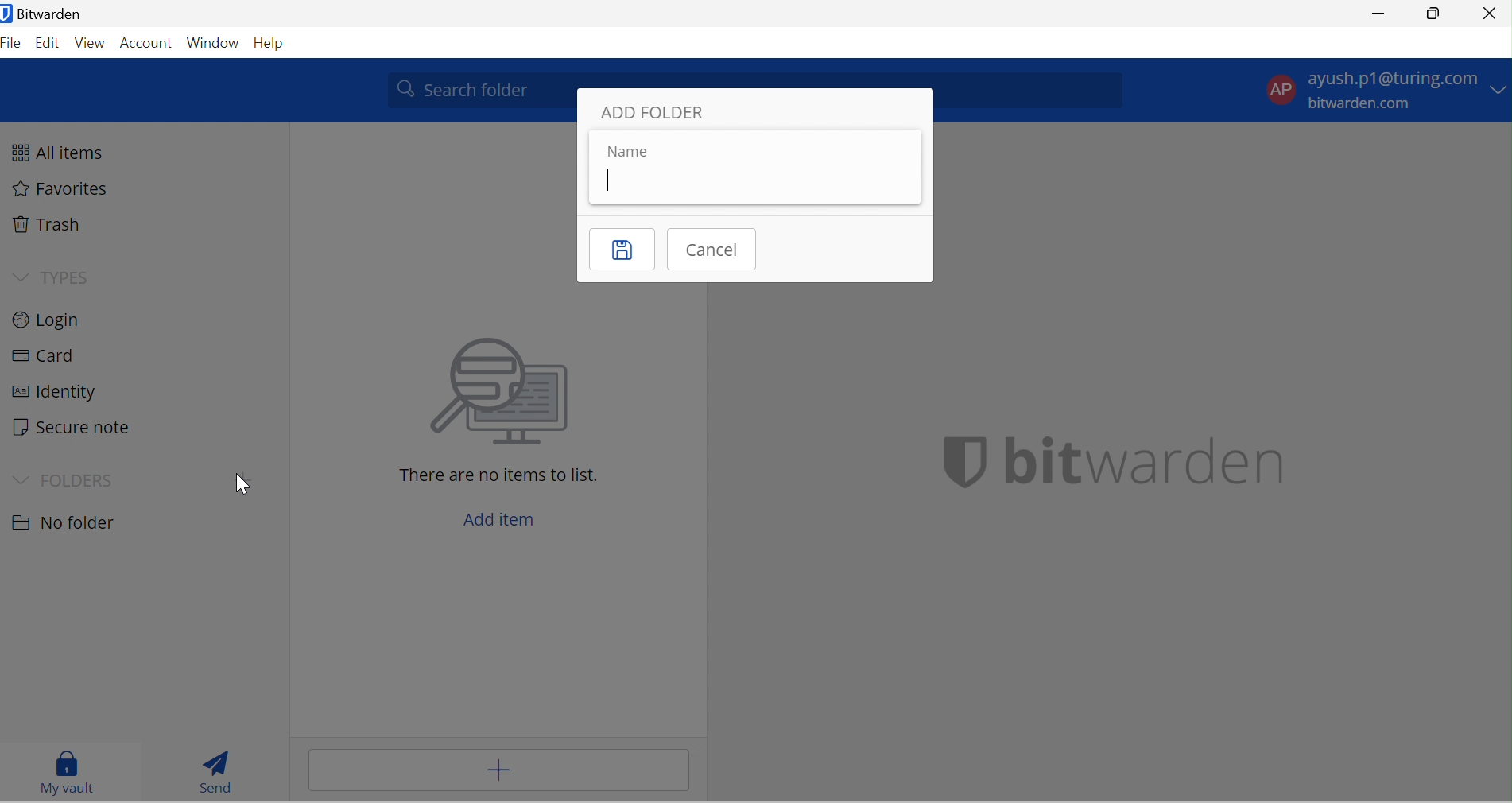 This screenshot has width=1512, height=803. What do you see at coordinates (145, 41) in the screenshot?
I see `Account` at bounding box center [145, 41].